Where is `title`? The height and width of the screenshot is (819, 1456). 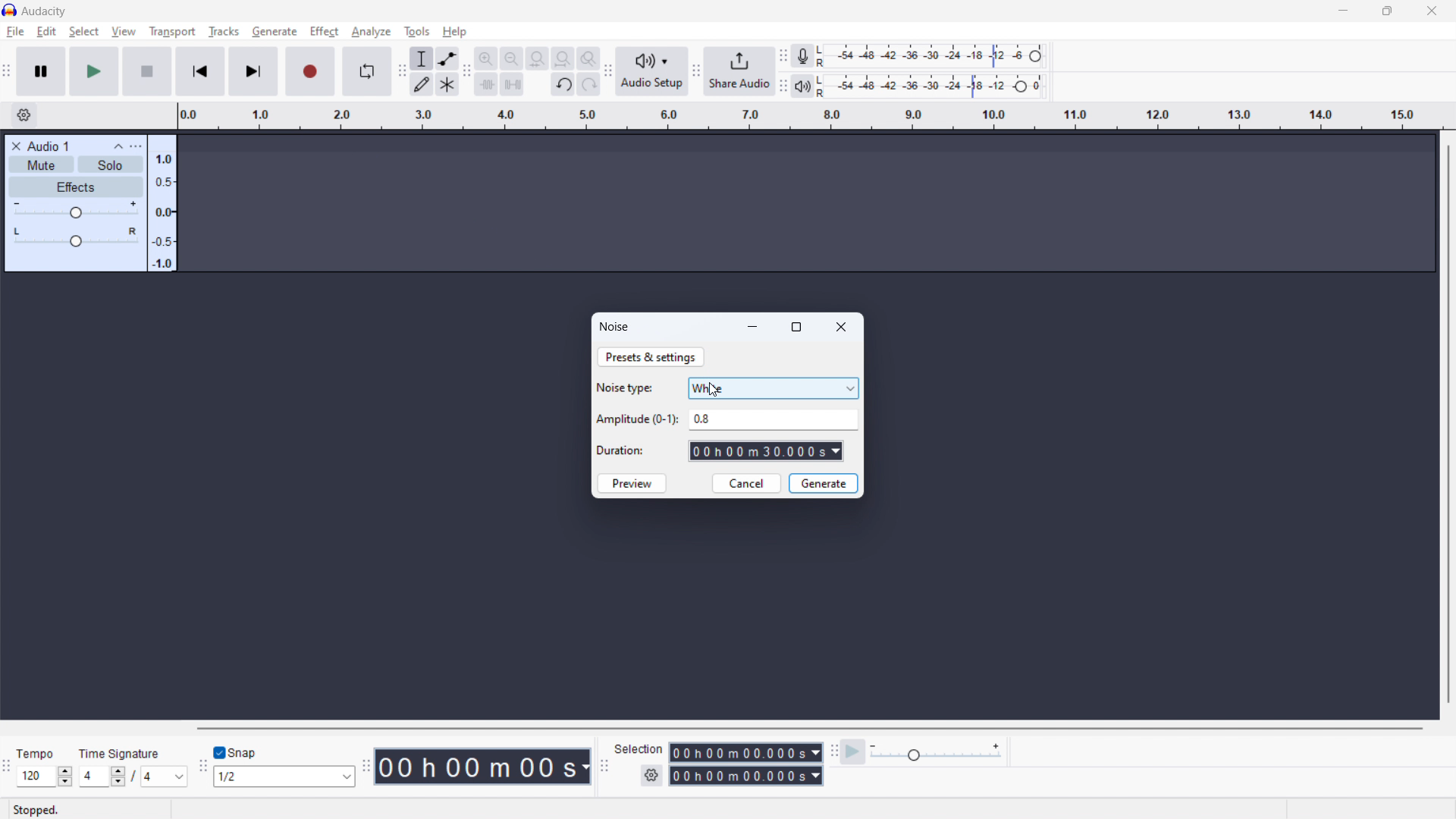
title is located at coordinates (44, 11).